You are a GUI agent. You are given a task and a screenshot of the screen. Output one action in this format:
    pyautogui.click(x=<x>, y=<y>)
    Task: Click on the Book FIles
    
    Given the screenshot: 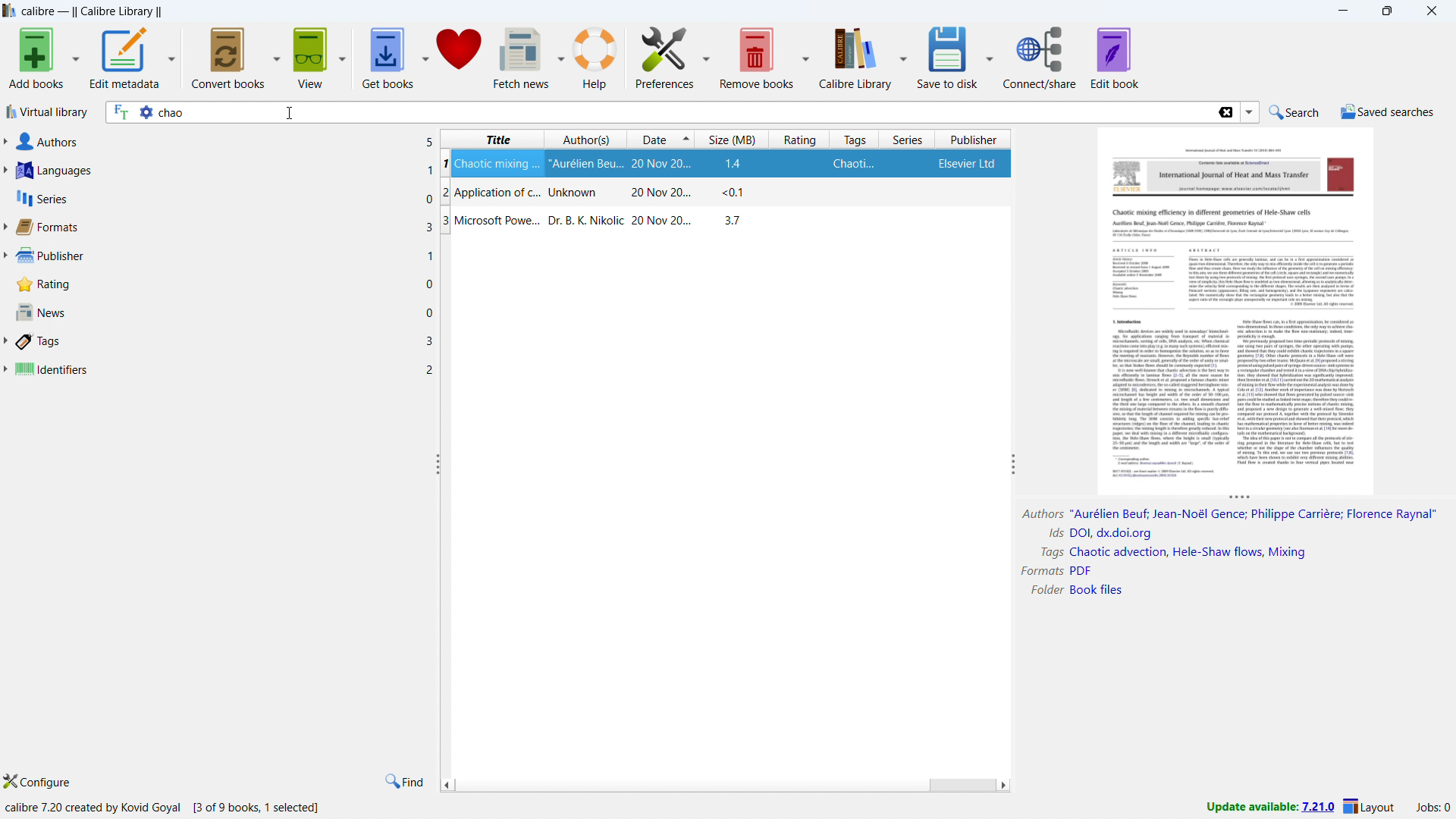 What is the action you would take?
    pyautogui.click(x=1105, y=593)
    